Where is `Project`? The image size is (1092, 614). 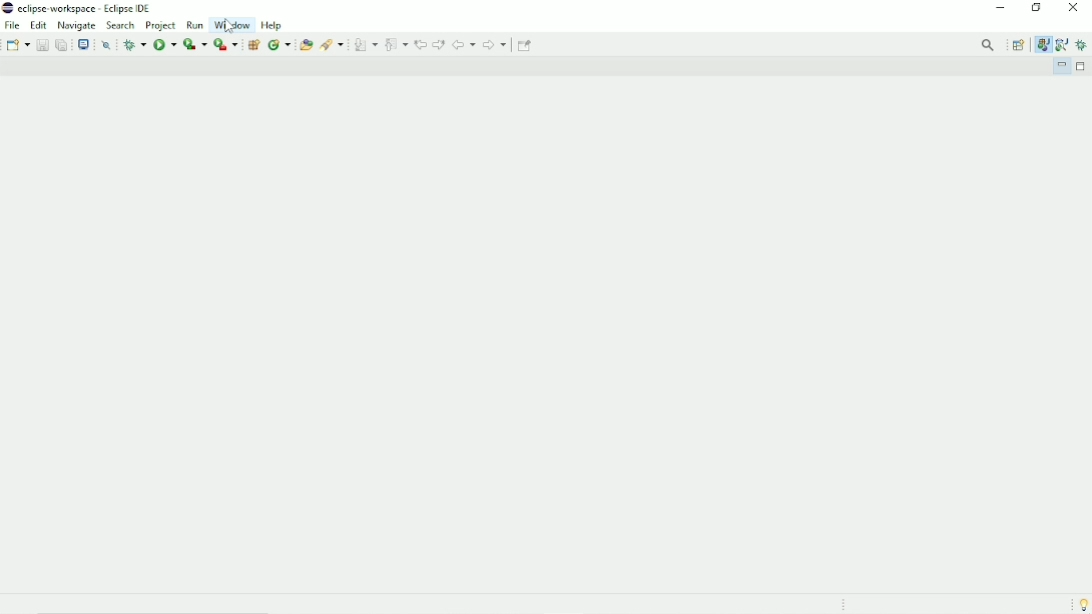 Project is located at coordinates (161, 25).